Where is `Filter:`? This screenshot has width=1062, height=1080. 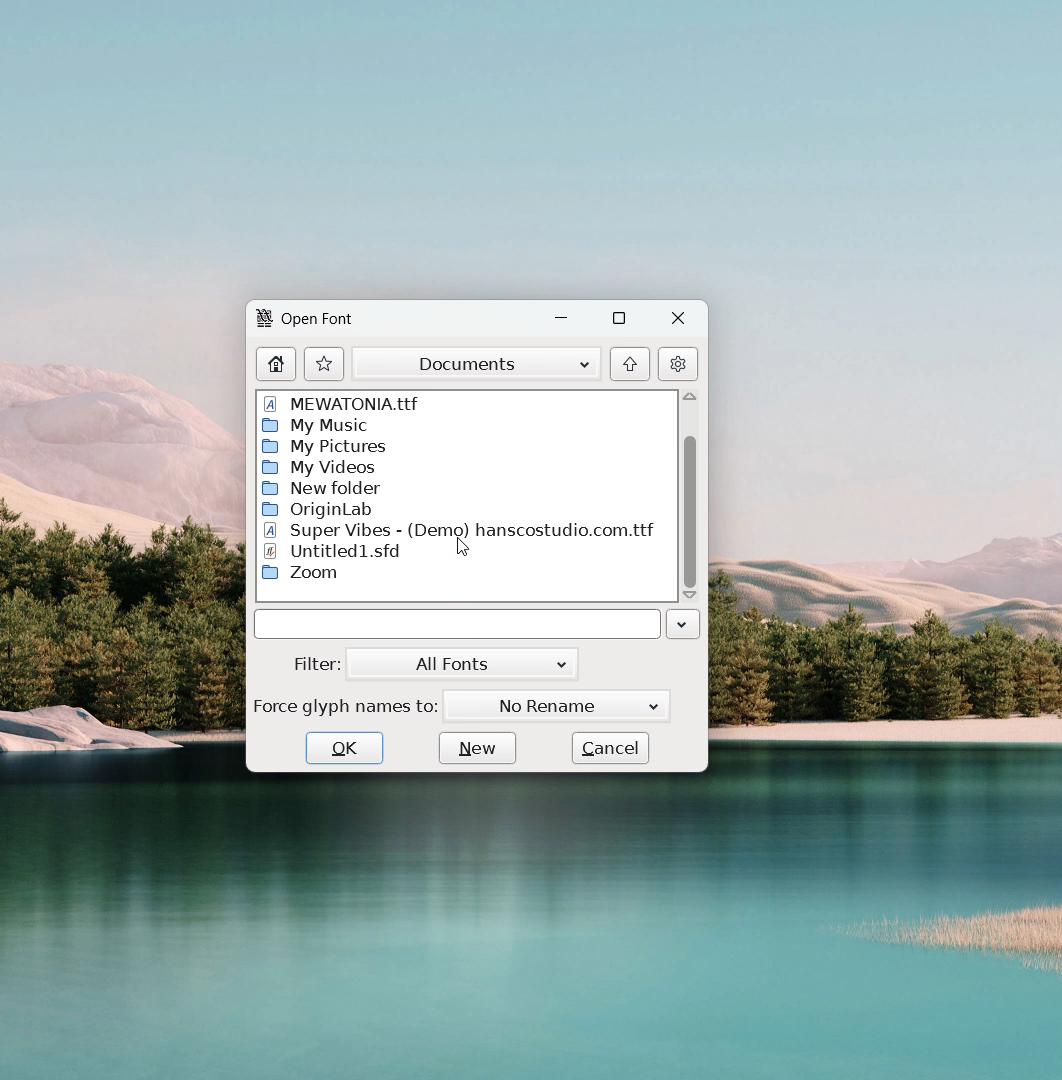 Filter: is located at coordinates (310, 668).